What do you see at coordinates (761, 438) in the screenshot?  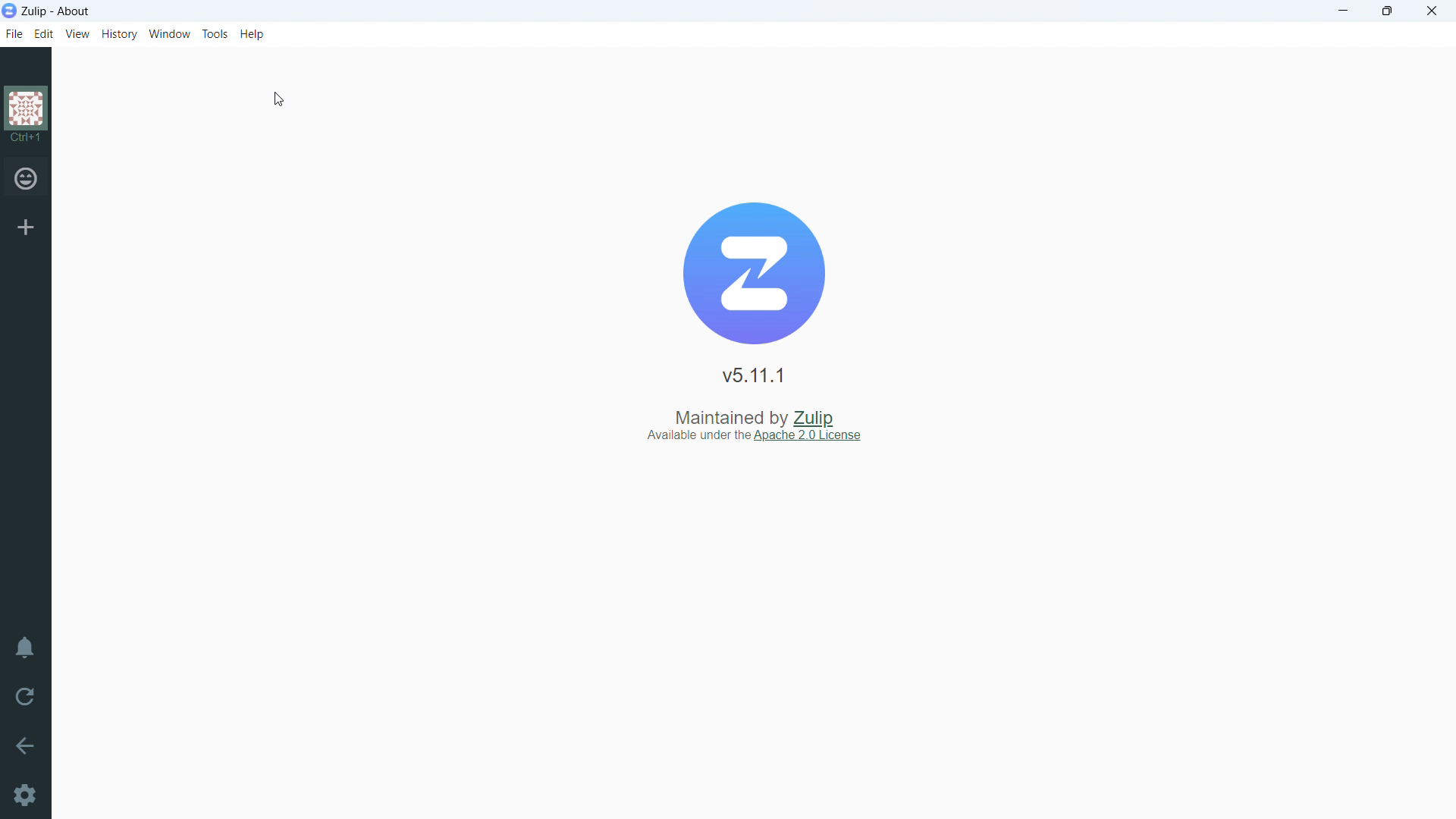 I see `license details` at bounding box center [761, 438].